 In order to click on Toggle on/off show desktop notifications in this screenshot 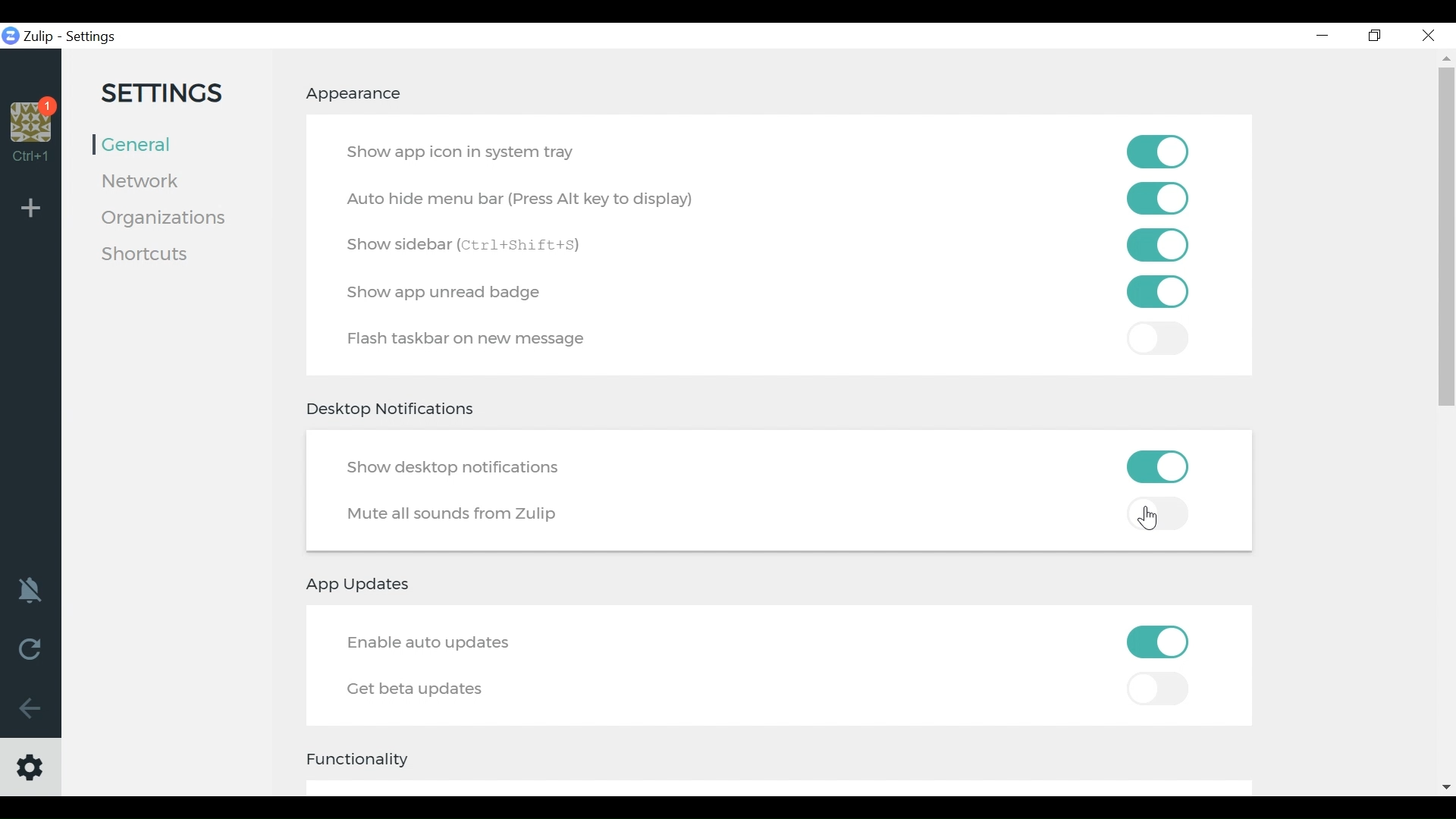, I will do `click(1162, 466)`.